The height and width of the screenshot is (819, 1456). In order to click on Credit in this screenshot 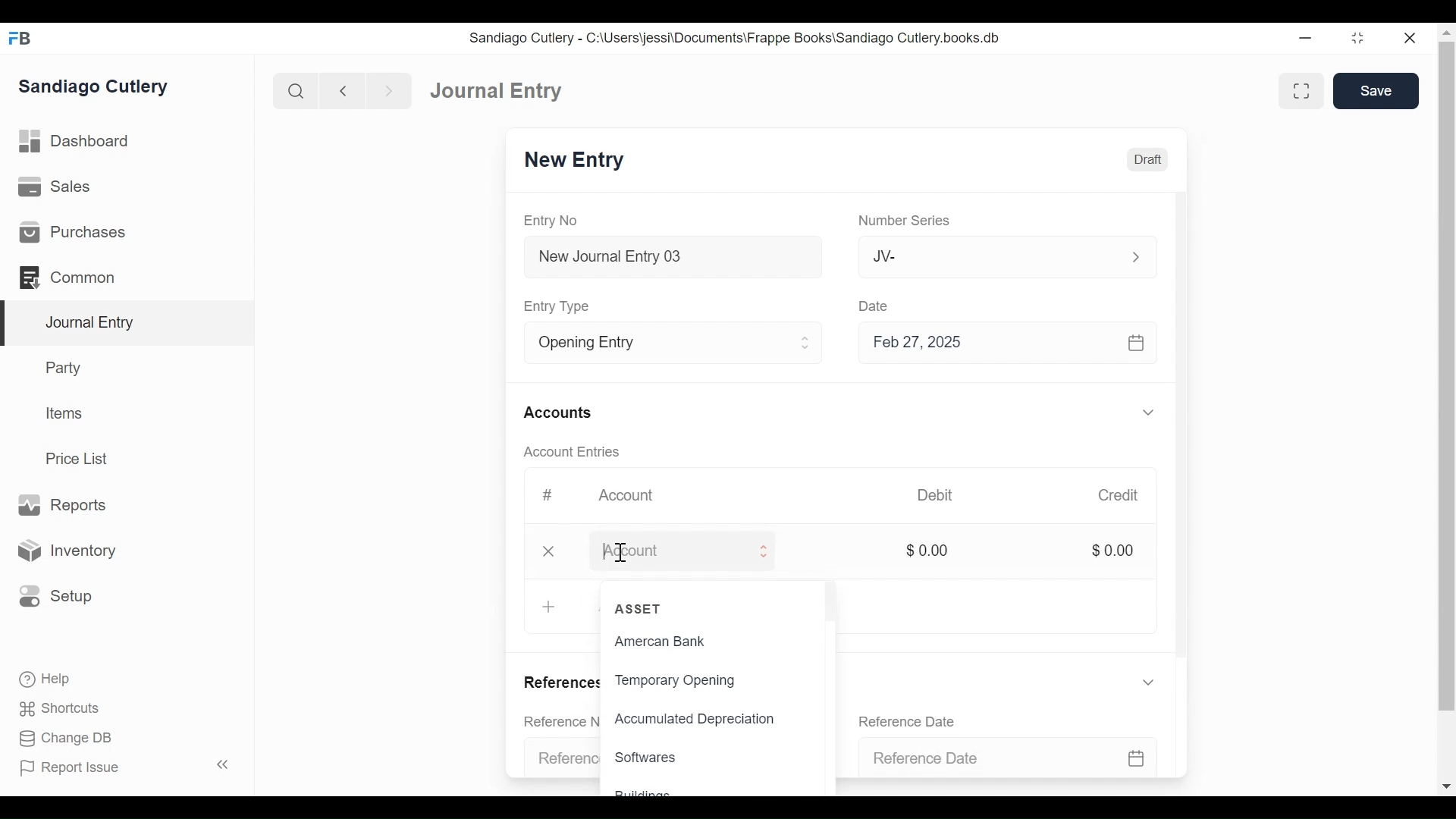, I will do `click(1121, 495)`.